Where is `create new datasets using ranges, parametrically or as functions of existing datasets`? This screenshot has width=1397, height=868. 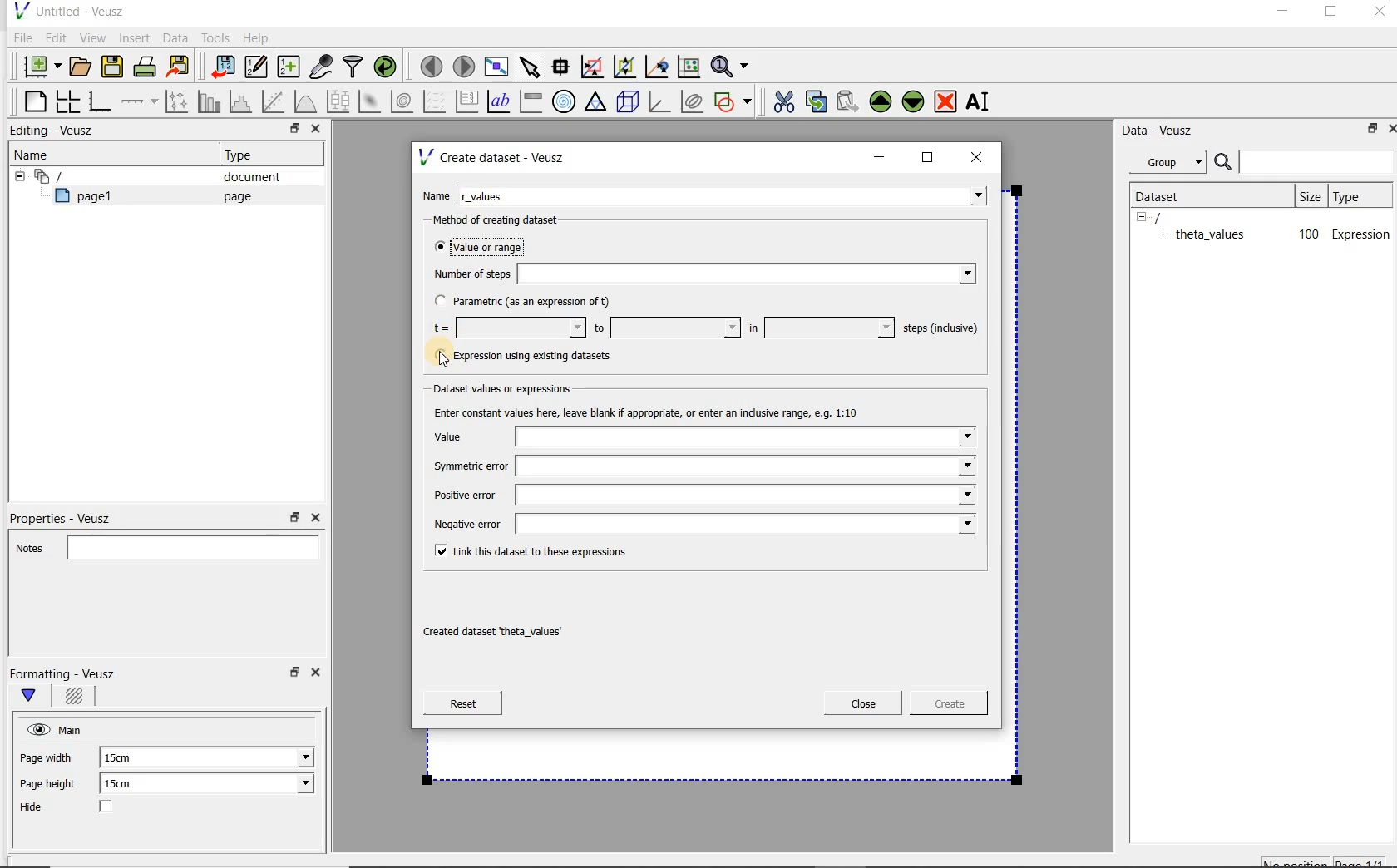
create new datasets using ranges, parametrically or as functions of existing datasets is located at coordinates (289, 67).